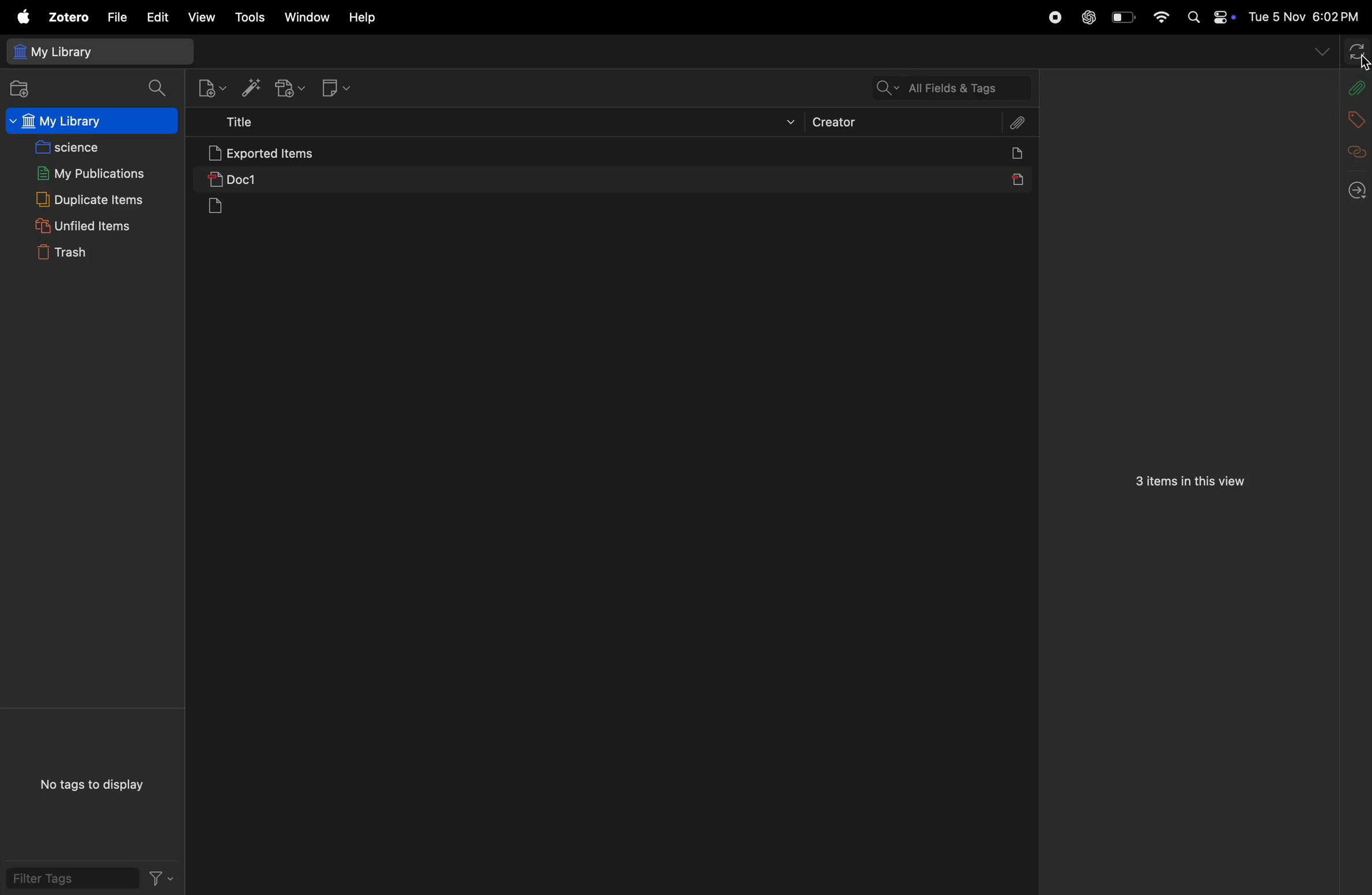 The width and height of the screenshot is (1372, 895). What do you see at coordinates (20, 91) in the screenshot?
I see `add files` at bounding box center [20, 91].